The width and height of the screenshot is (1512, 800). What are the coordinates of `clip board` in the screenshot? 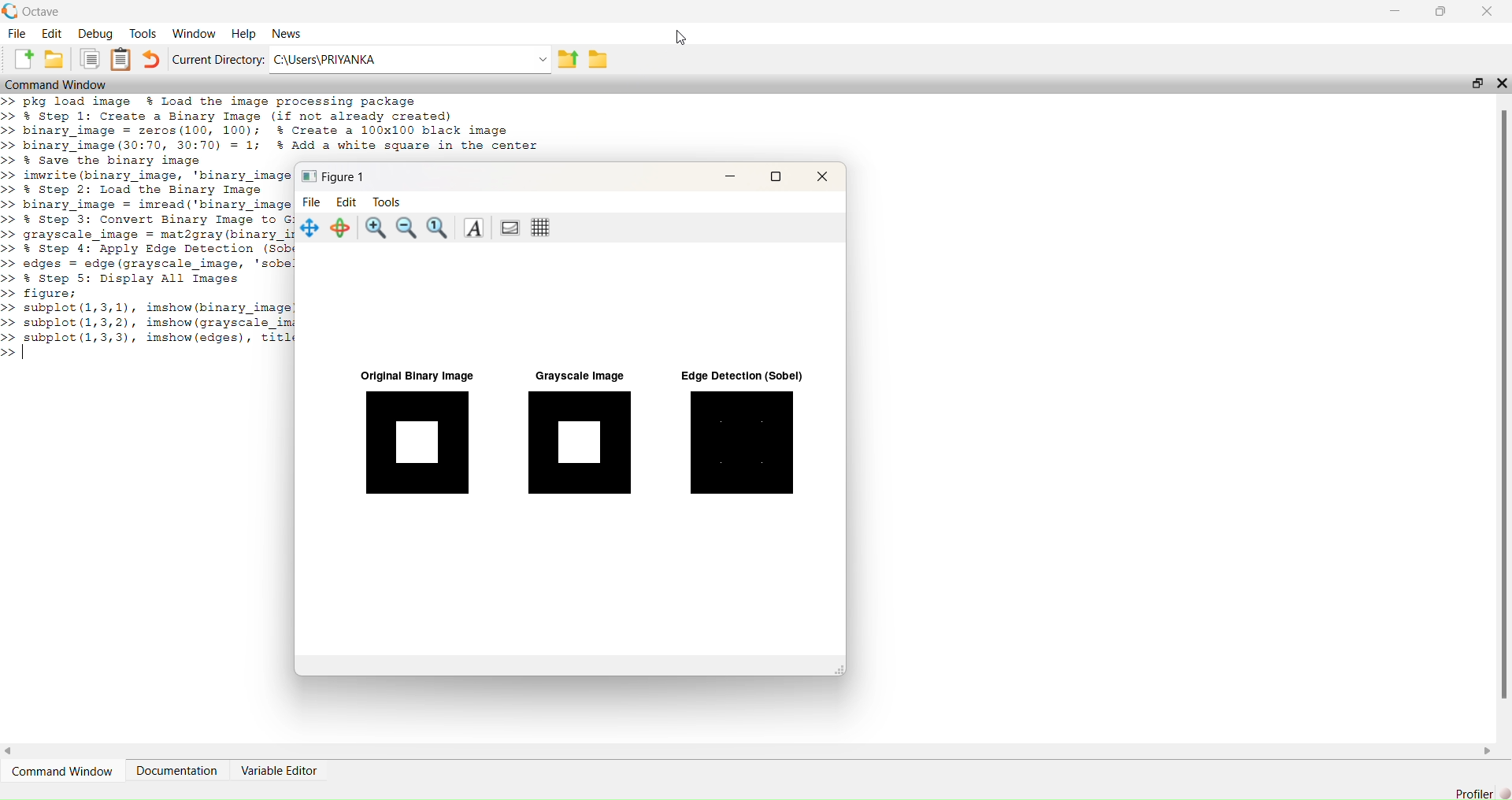 It's located at (121, 59).